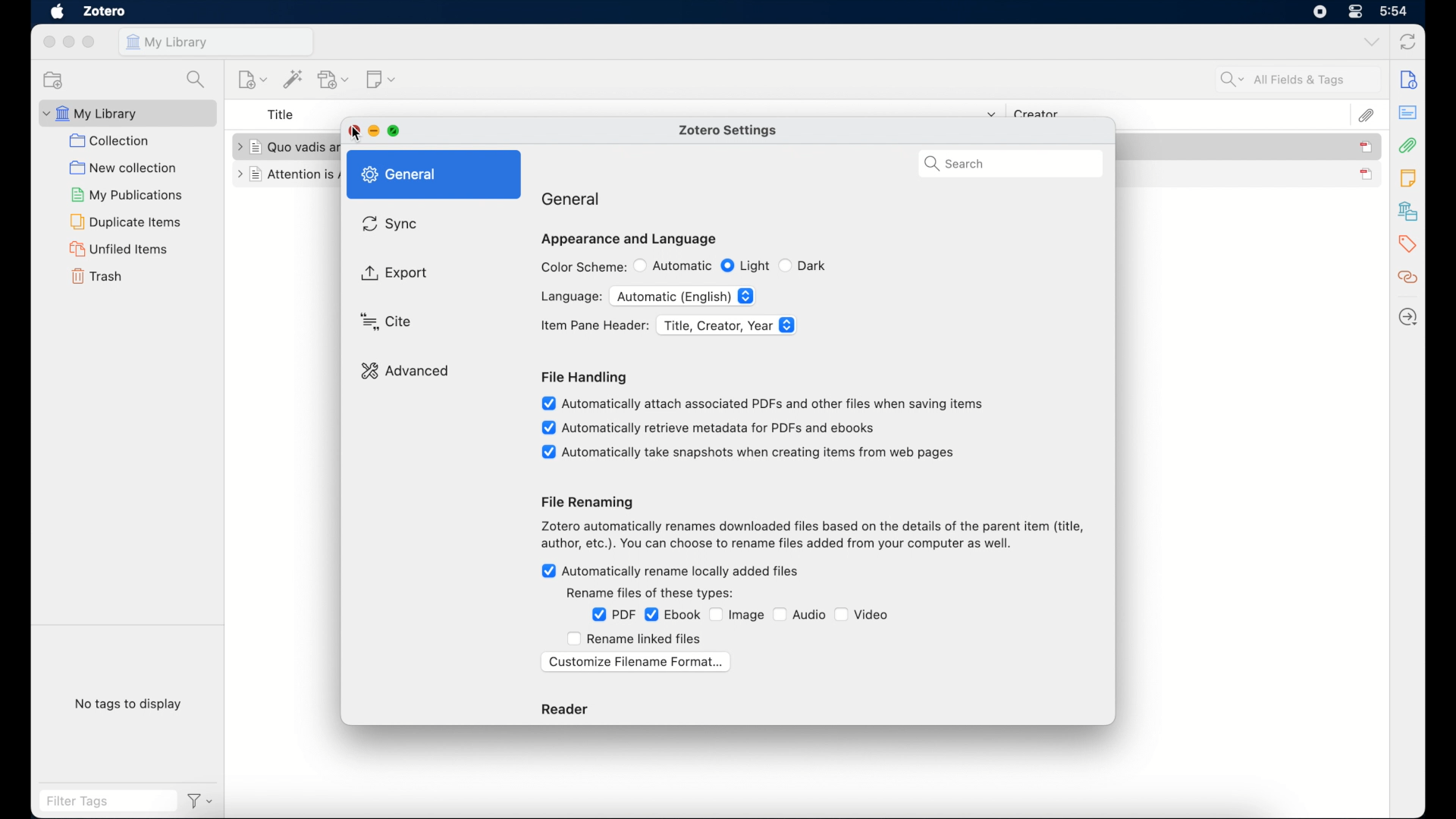 This screenshot has height=819, width=1456. What do you see at coordinates (1408, 112) in the screenshot?
I see `abstract` at bounding box center [1408, 112].